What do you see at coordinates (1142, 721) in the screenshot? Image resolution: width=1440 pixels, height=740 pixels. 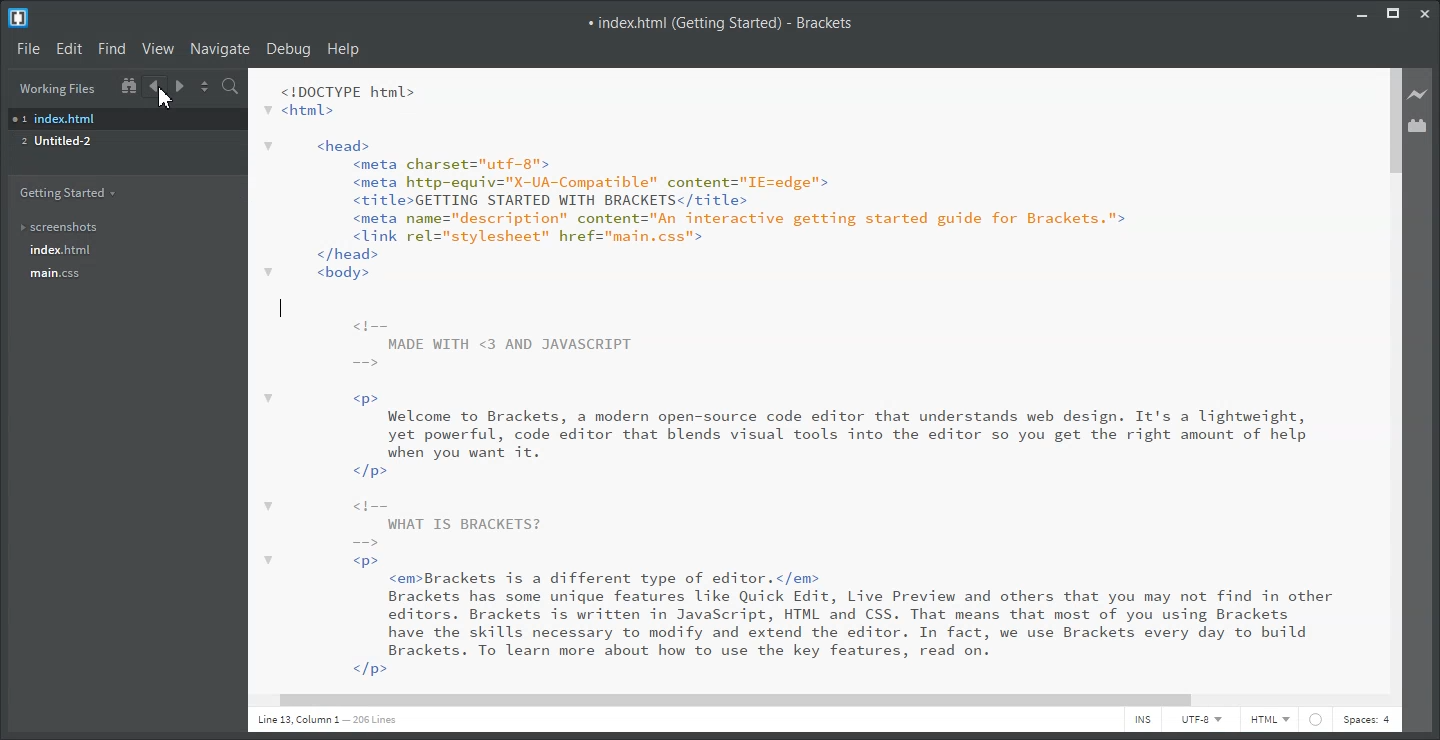 I see `INS` at bounding box center [1142, 721].